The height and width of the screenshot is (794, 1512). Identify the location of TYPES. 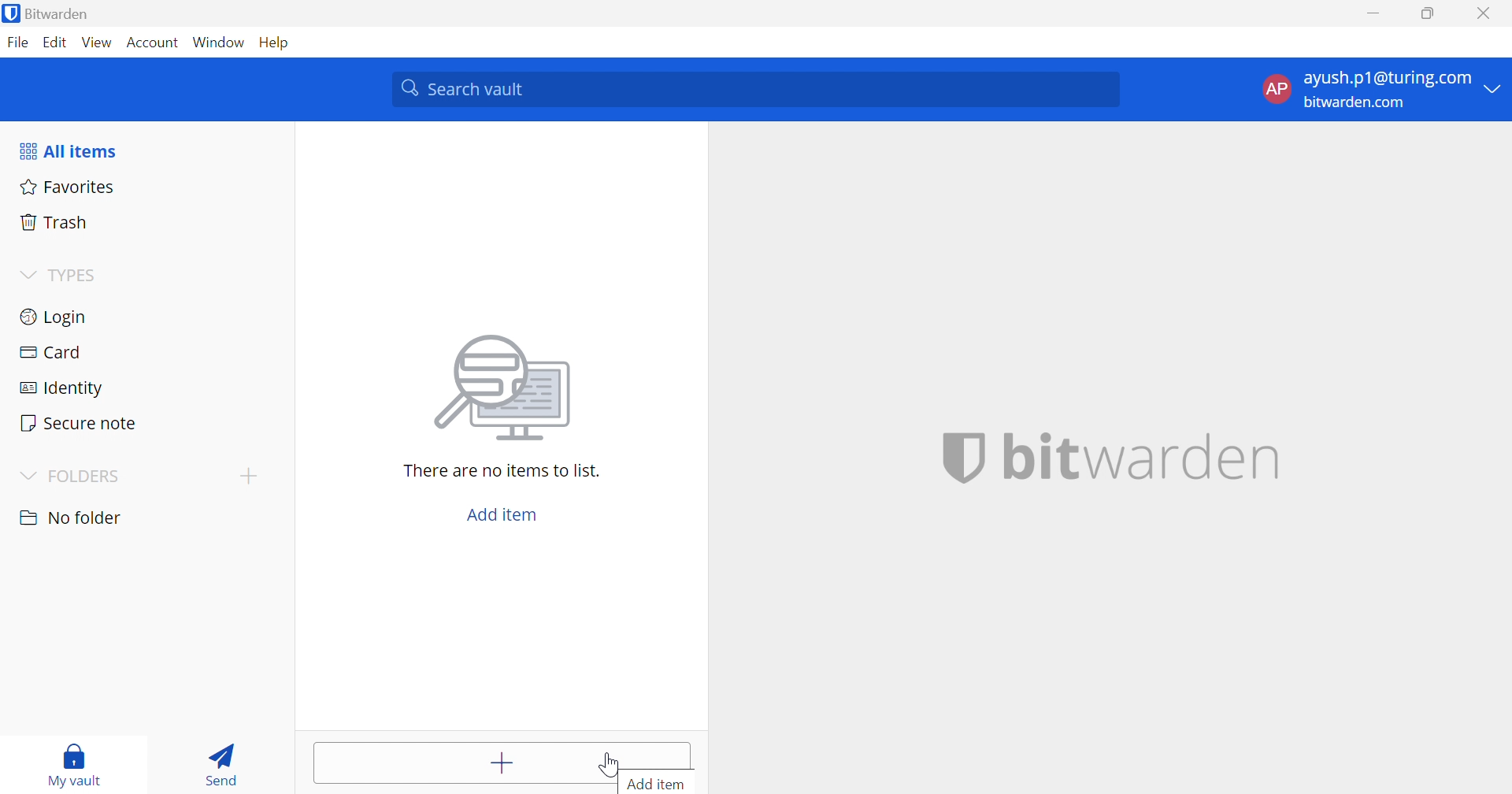
(77, 274).